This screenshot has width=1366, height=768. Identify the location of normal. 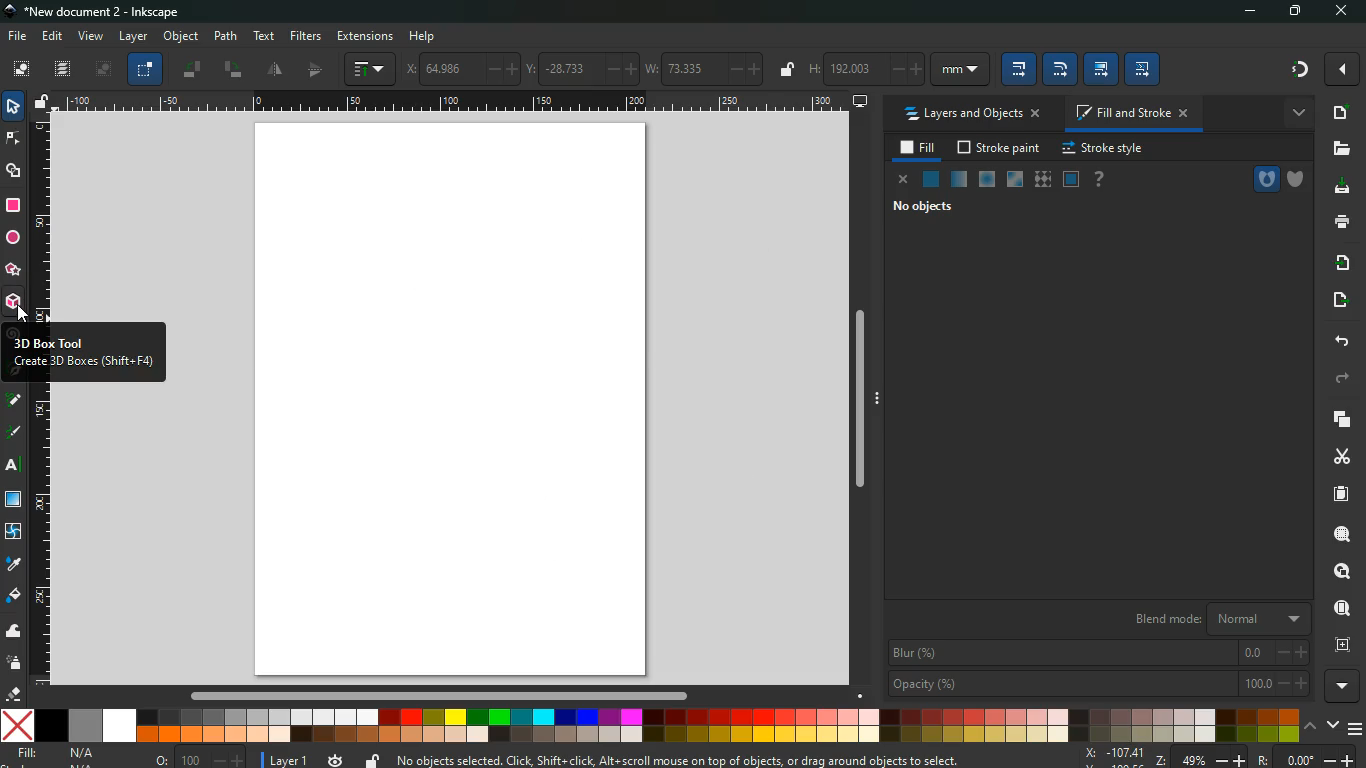
(929, 179).